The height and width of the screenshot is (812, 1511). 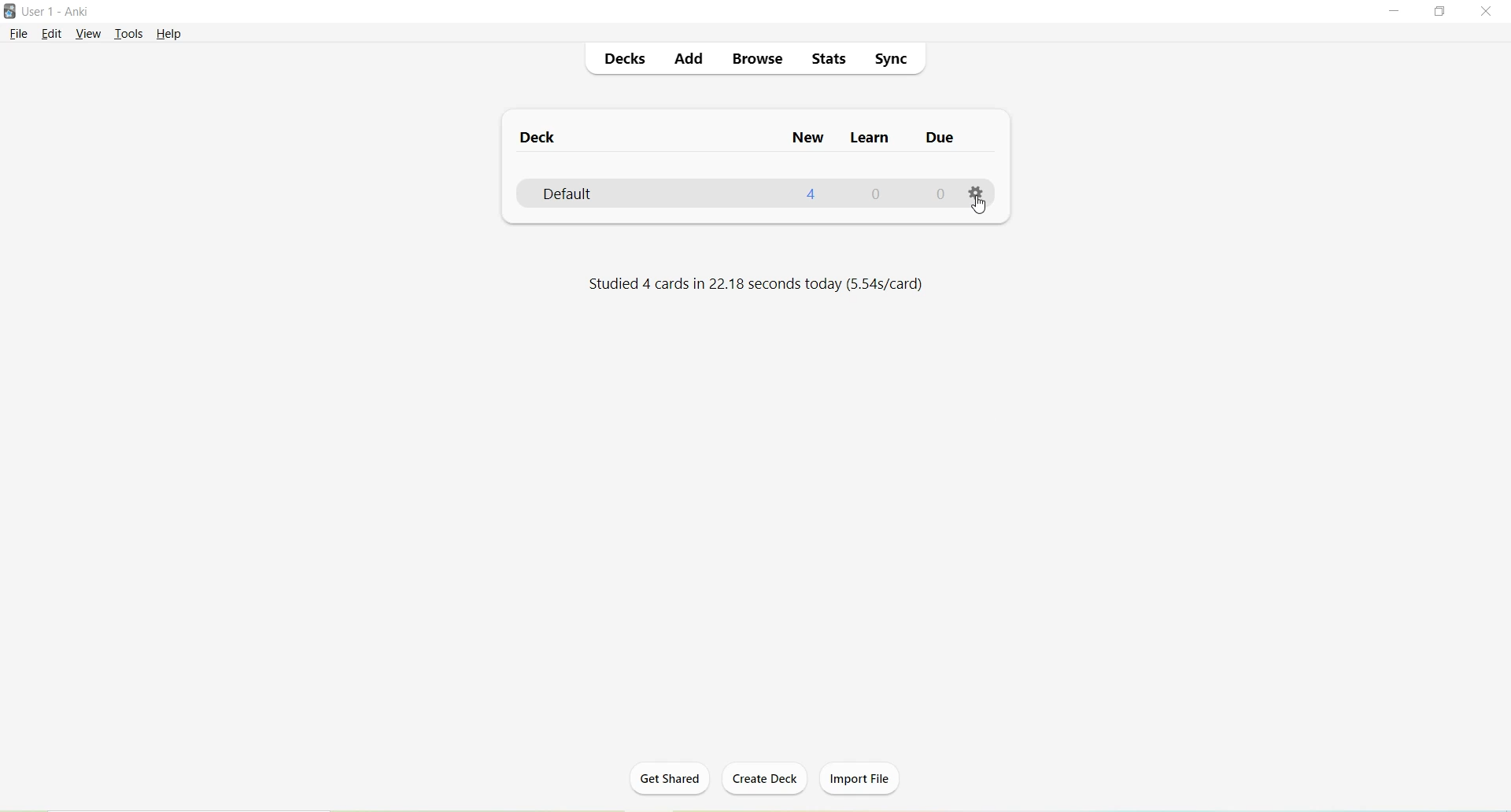 I want to click on Learn, so click(x=866, y=139).